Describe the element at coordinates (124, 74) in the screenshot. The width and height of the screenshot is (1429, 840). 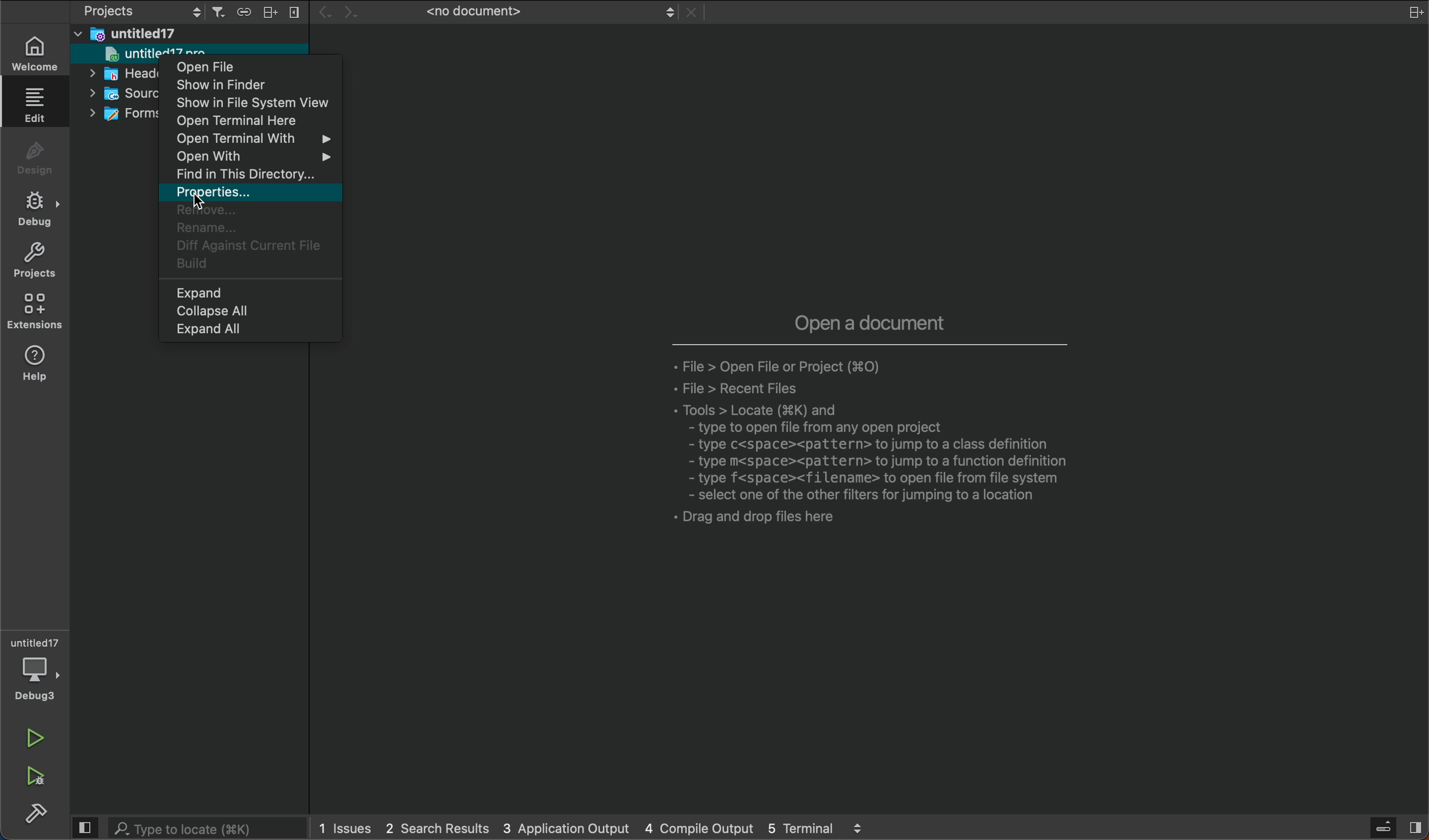
I see `headers` at that location.